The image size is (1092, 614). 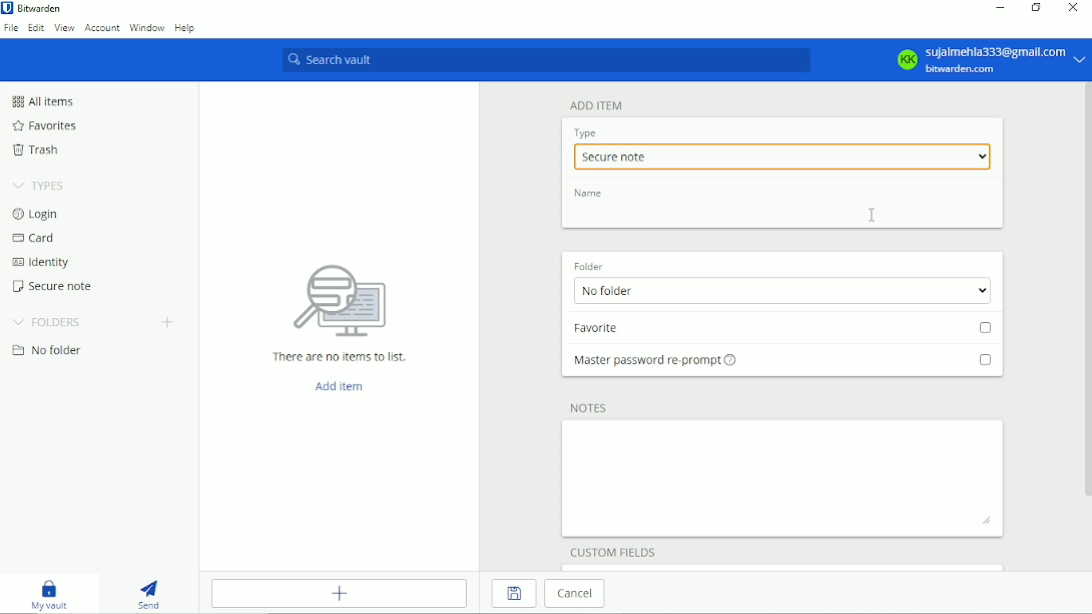 I want to click on Custom filelds, so click(x=614, y=550).